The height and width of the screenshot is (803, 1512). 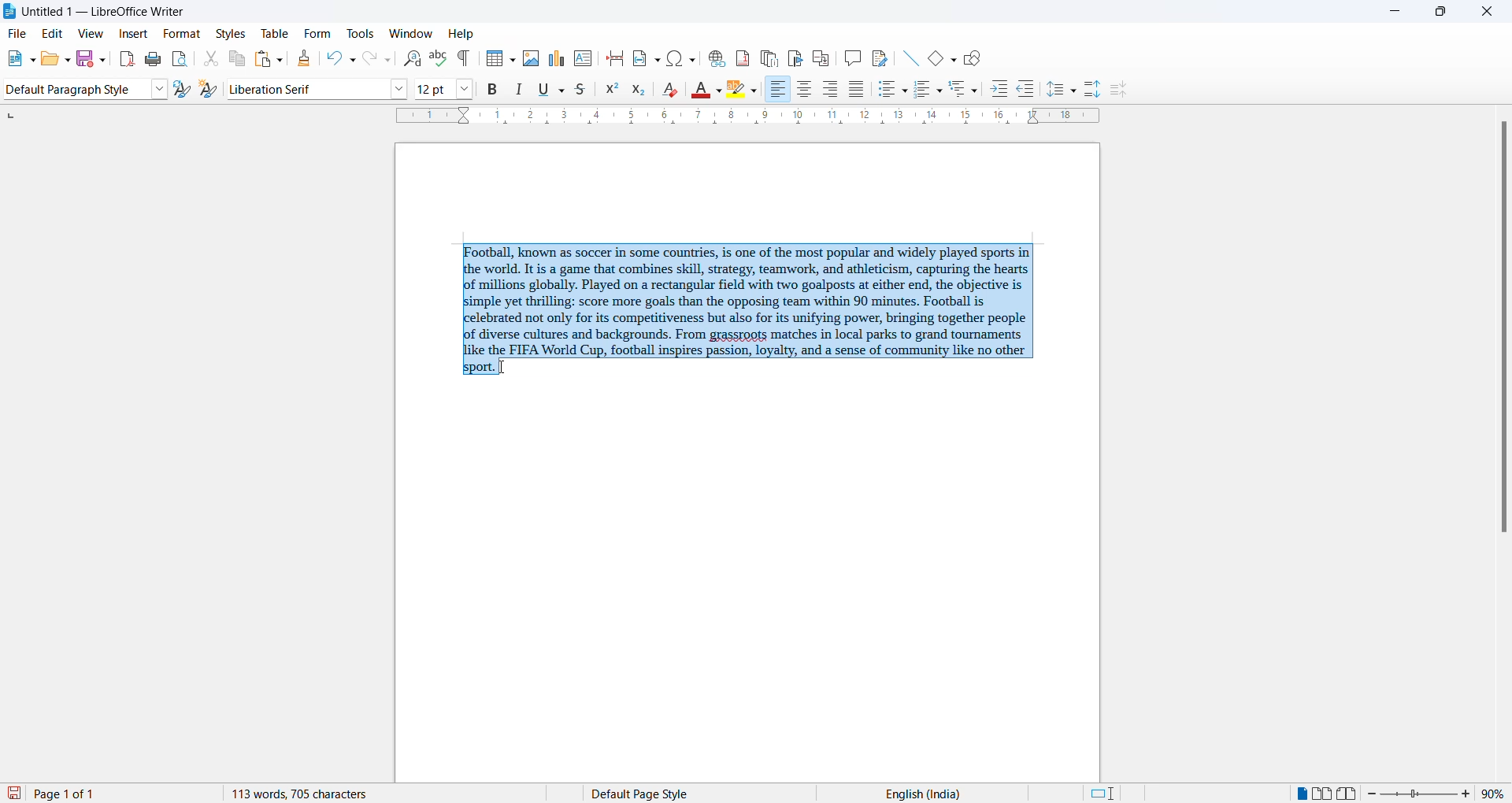 What do you see at coordinates (738, 90) in the screenshot?
I see `character highlighting` at bounding box center [738, 90].